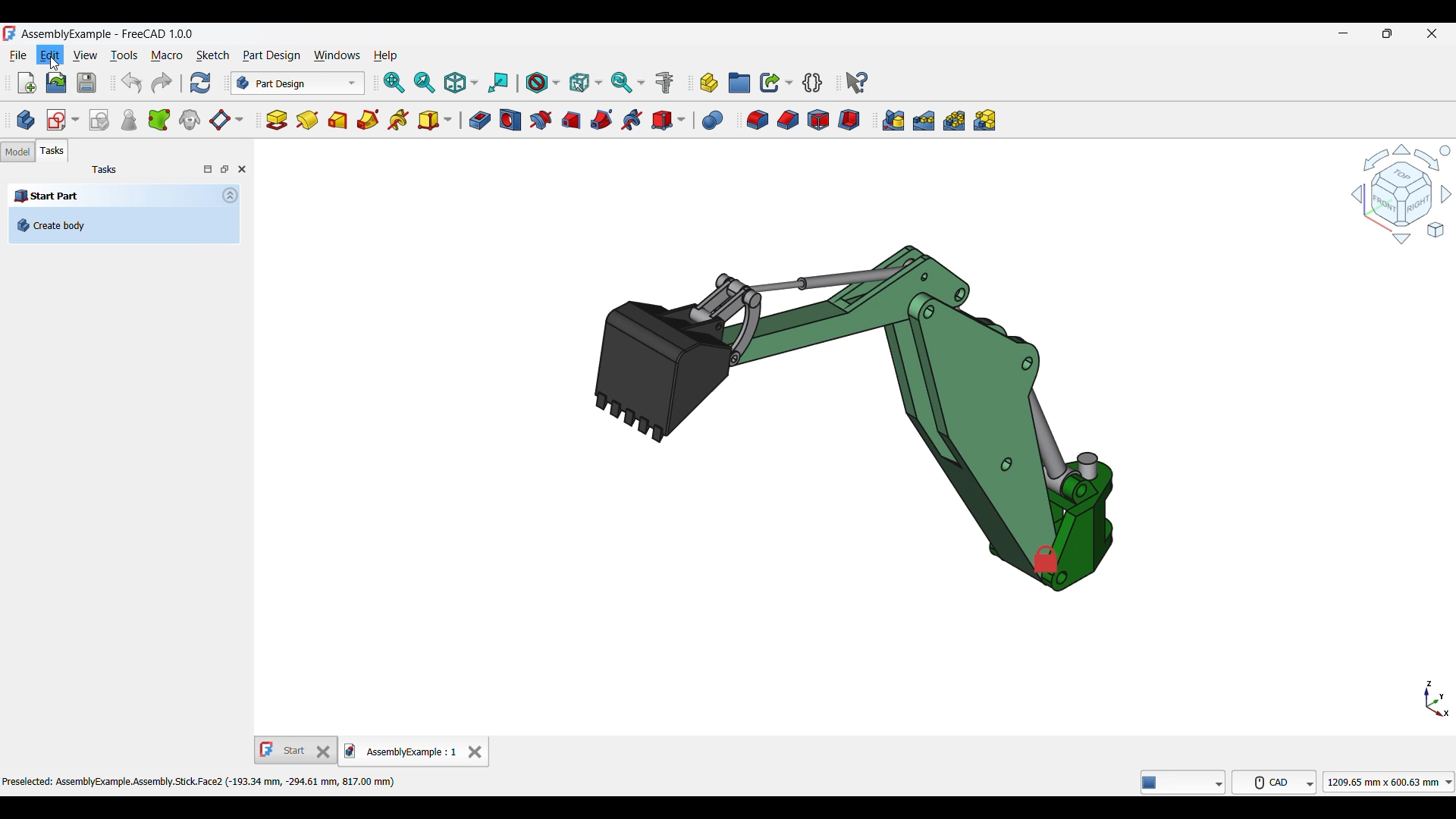 This screenshot has width=1456, height=819. Describe the element at coordinates (162, 83) in the screenshot. I see `Redo` at that location.